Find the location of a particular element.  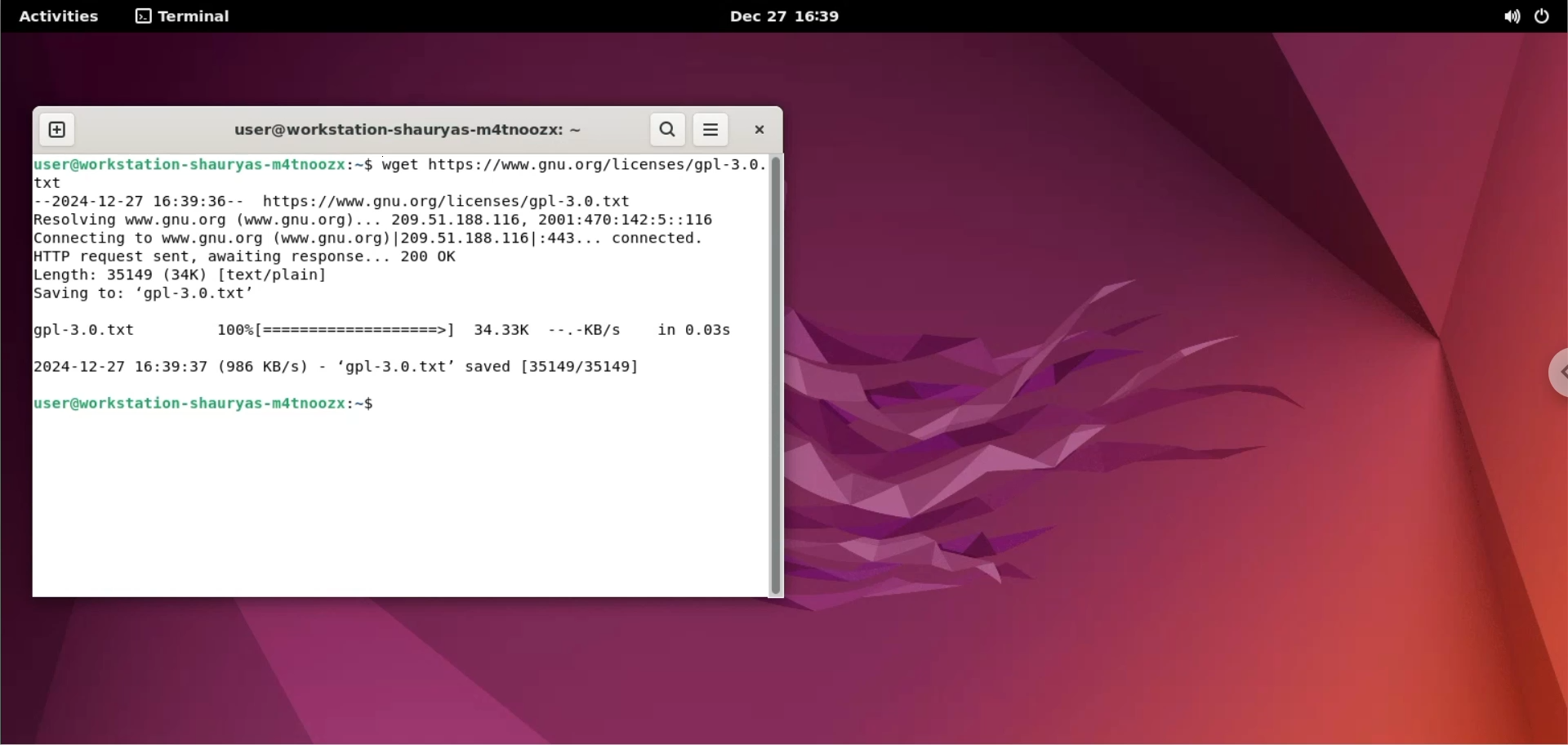

Dec 27 16:39 is located at coordinates (806, 17).